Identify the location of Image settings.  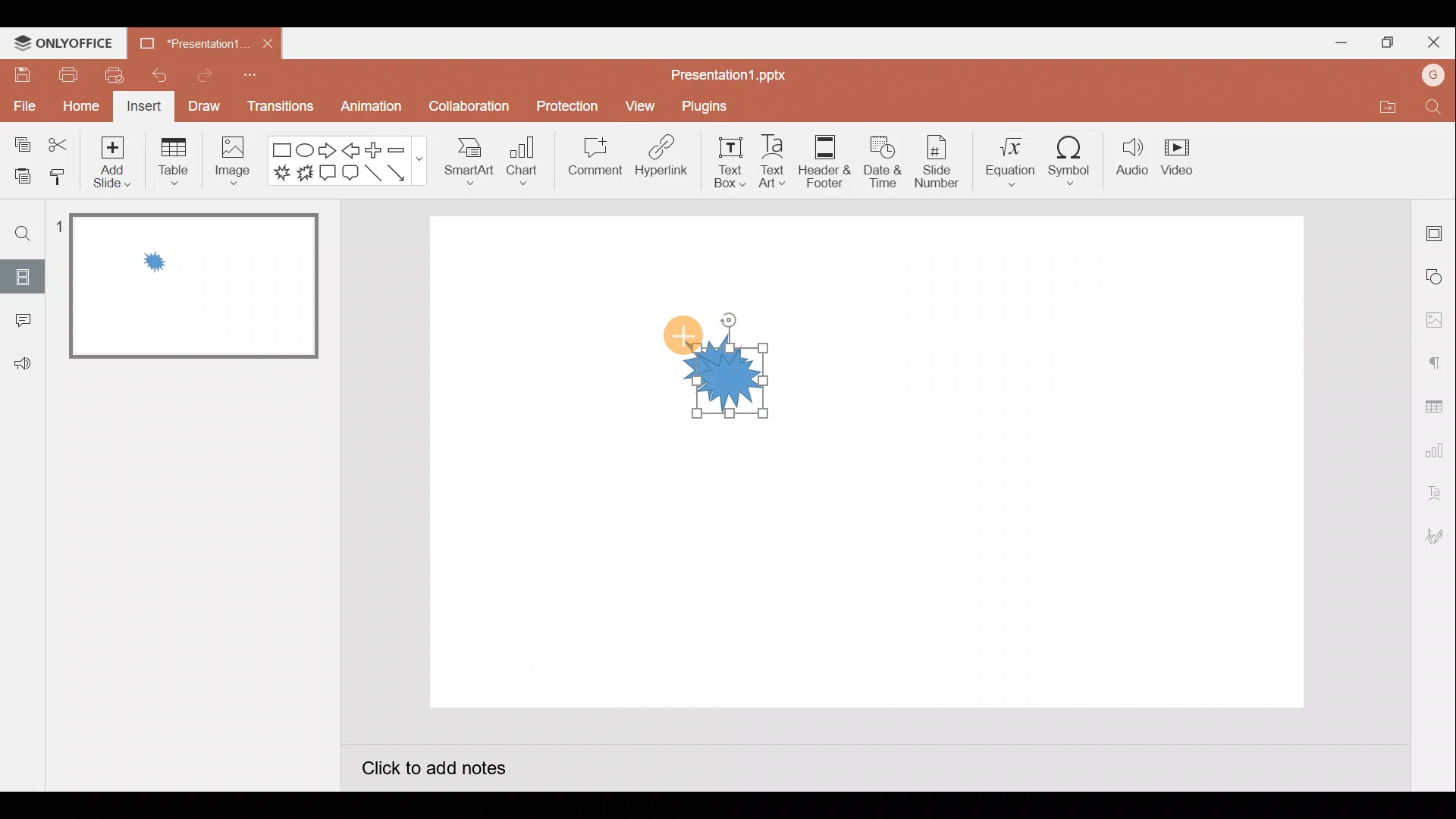
(1432, 318).